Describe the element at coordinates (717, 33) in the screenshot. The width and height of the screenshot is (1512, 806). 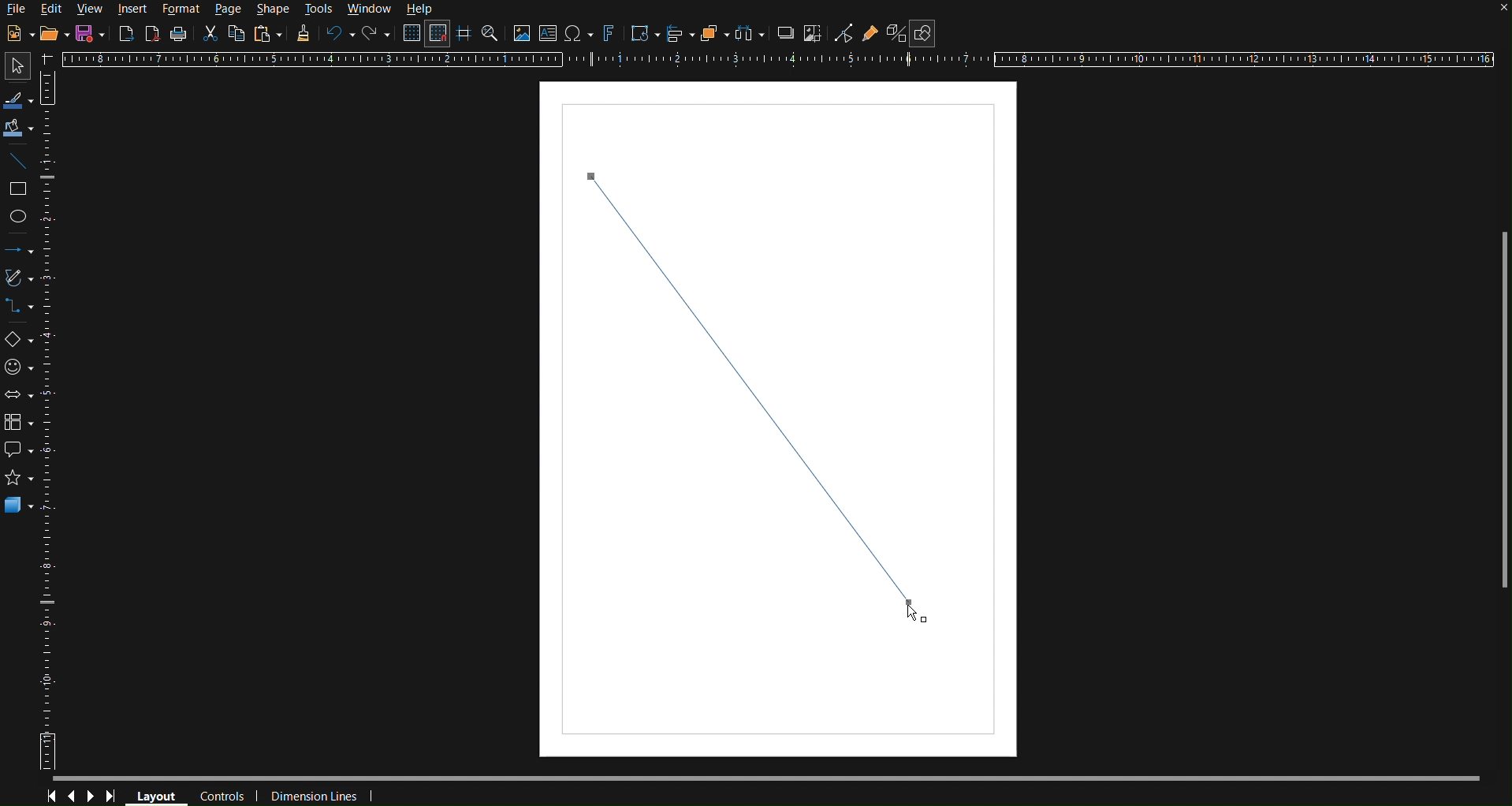
I see `Arrange` at that location.